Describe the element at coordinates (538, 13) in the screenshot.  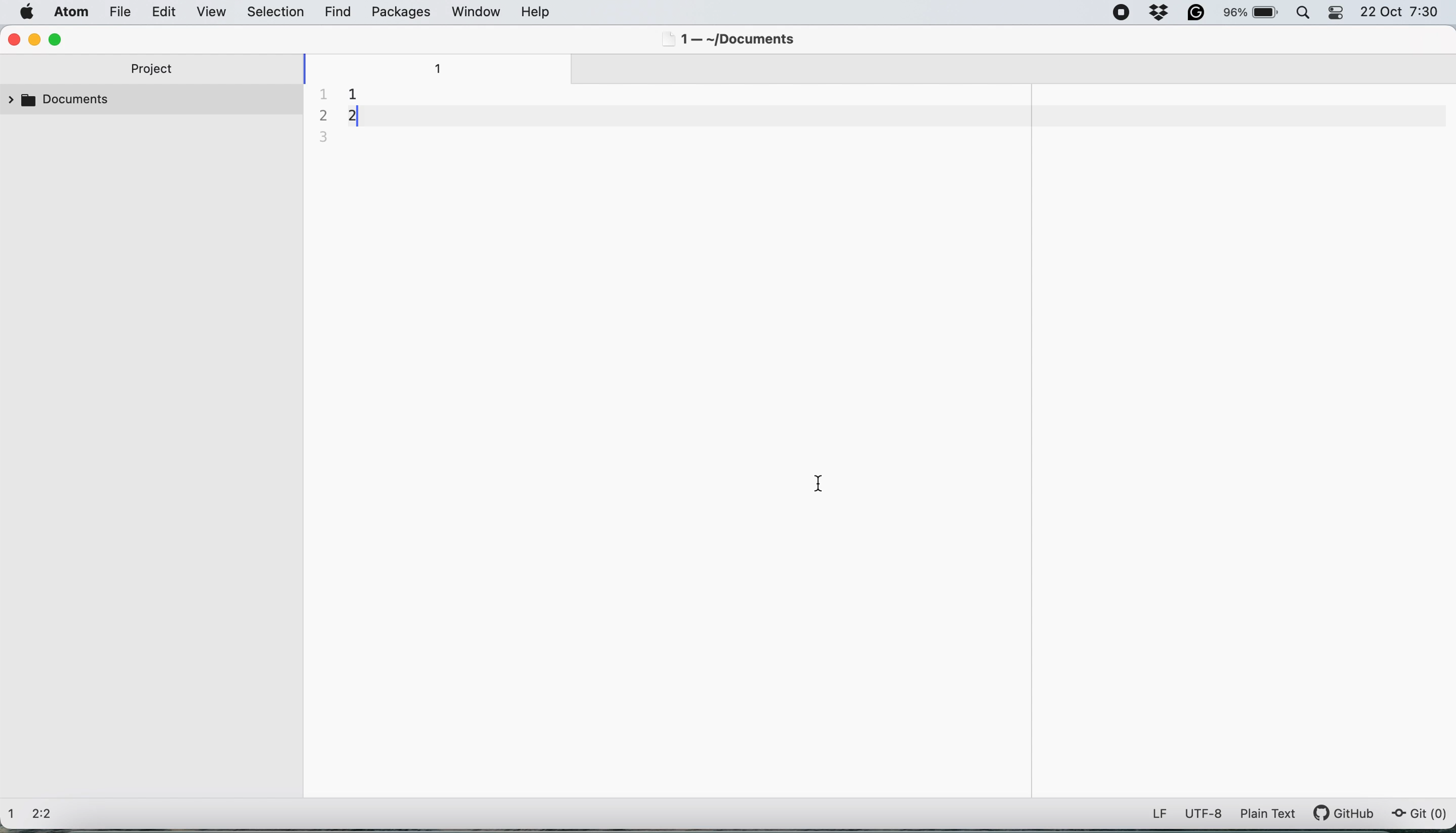
I see `help` at that location.